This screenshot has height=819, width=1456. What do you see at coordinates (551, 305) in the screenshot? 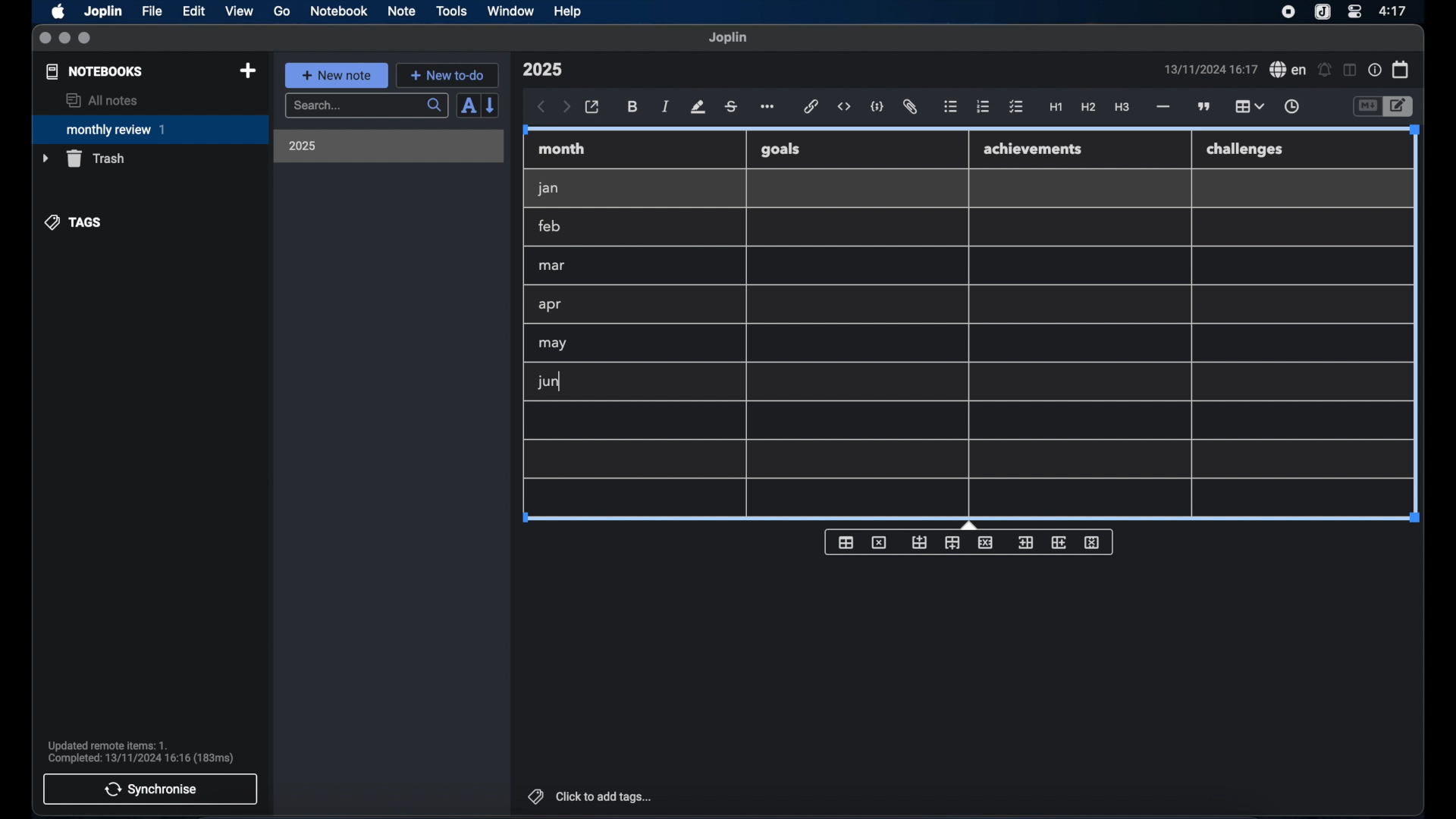
I see `apr` at bounding box center [551, 305].